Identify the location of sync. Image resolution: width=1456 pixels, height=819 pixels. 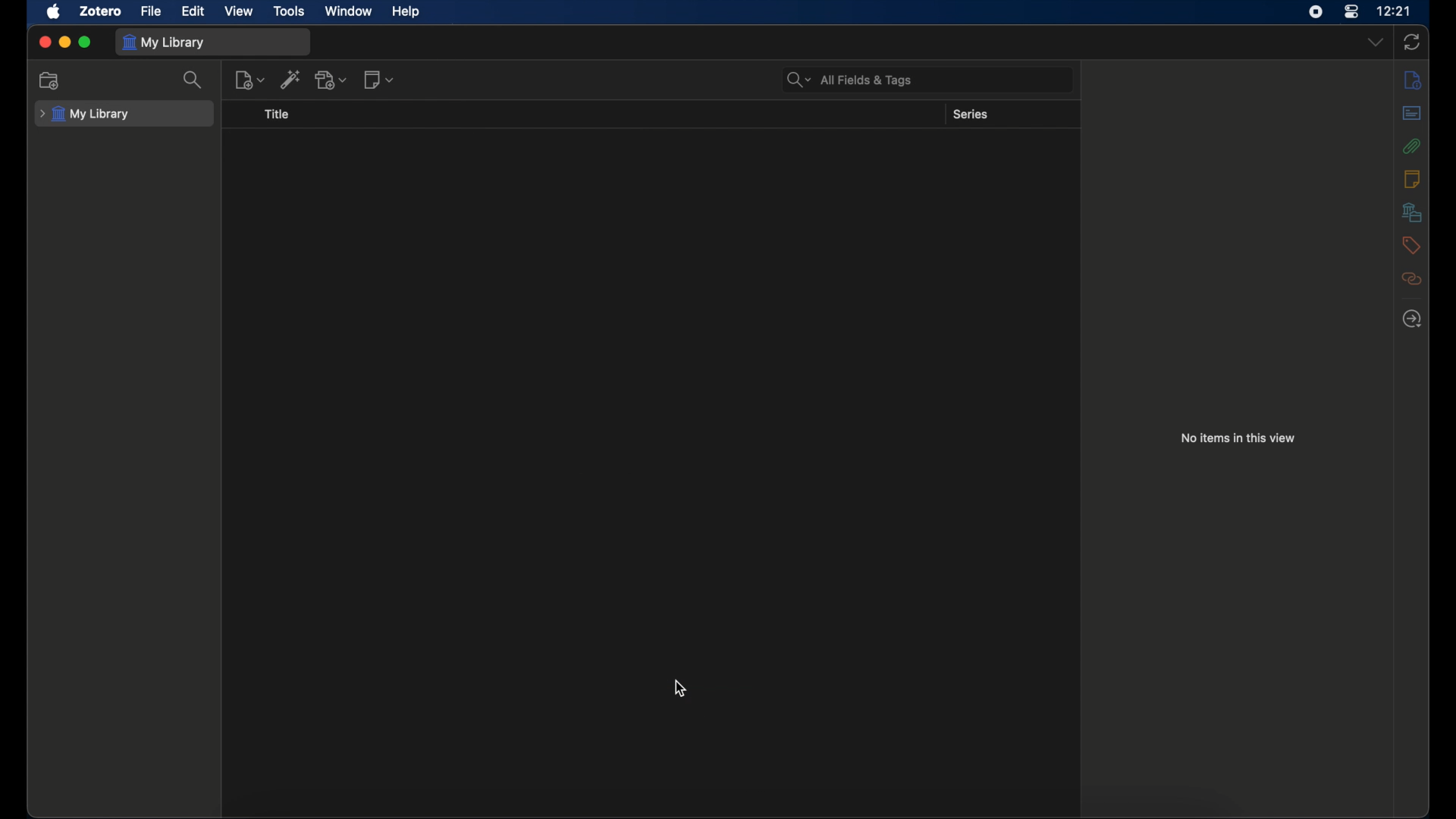
(1410, 42).